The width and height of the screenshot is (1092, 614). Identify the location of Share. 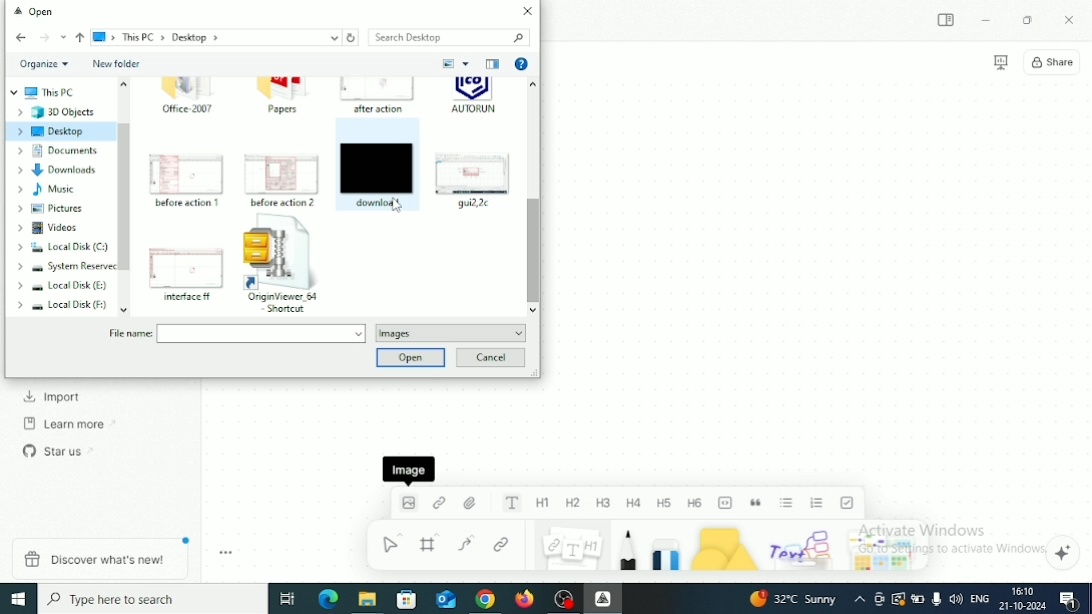
(1052, 62).